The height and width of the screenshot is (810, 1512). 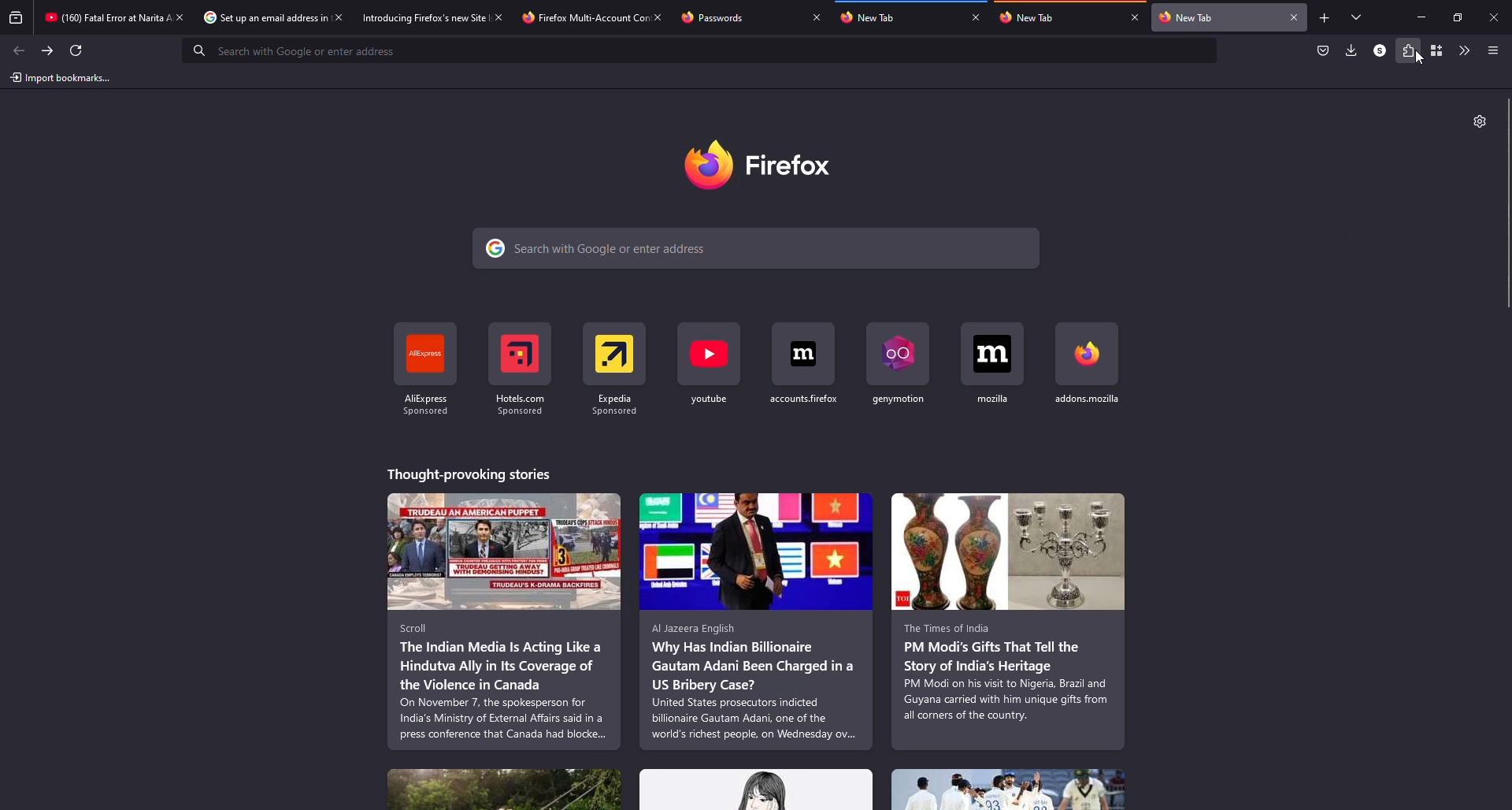 I want to click on scroll bar, so click(x=1508, y=205).